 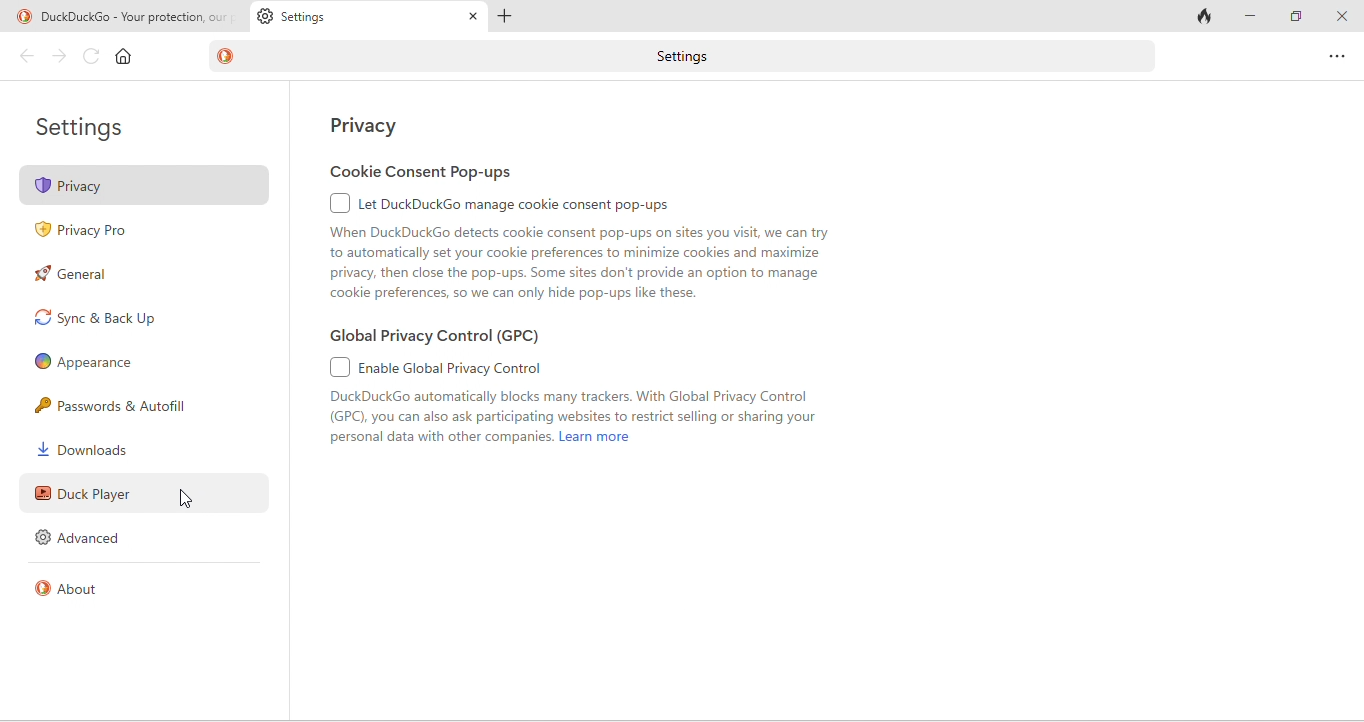 What do you see at coordinates (511, 15) in the screenshot?
I see `add tab` at bounding box center [511, 15].